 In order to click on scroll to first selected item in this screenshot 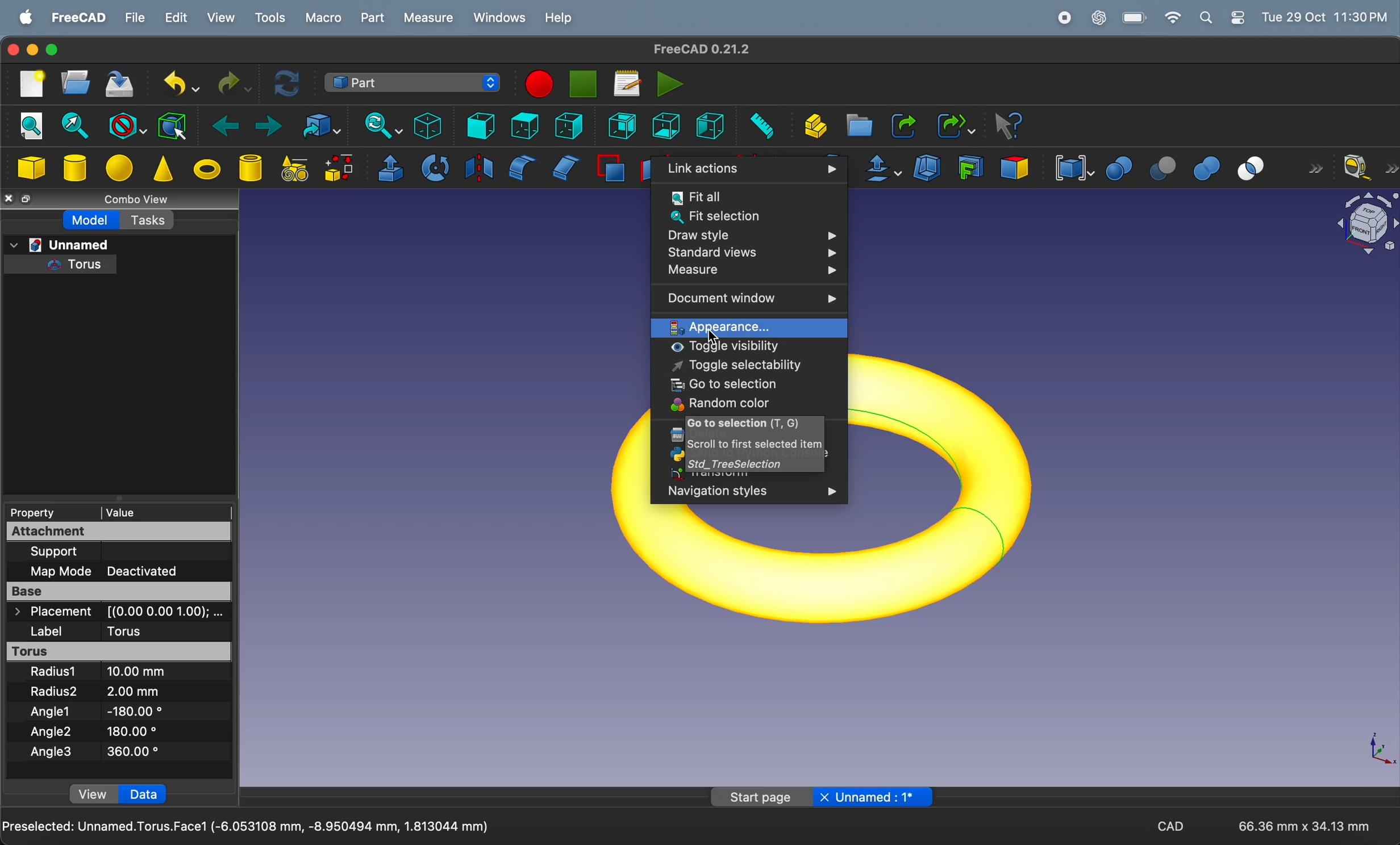, I will do `click(753, 445)`.